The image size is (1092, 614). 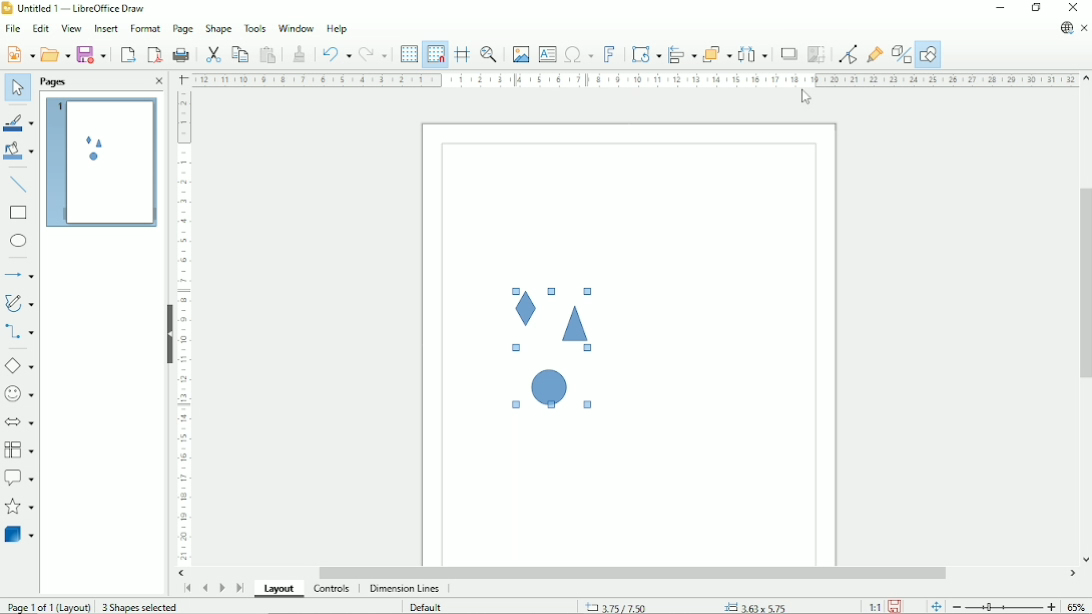 I want to click on Window, so click(x=294, y=28).